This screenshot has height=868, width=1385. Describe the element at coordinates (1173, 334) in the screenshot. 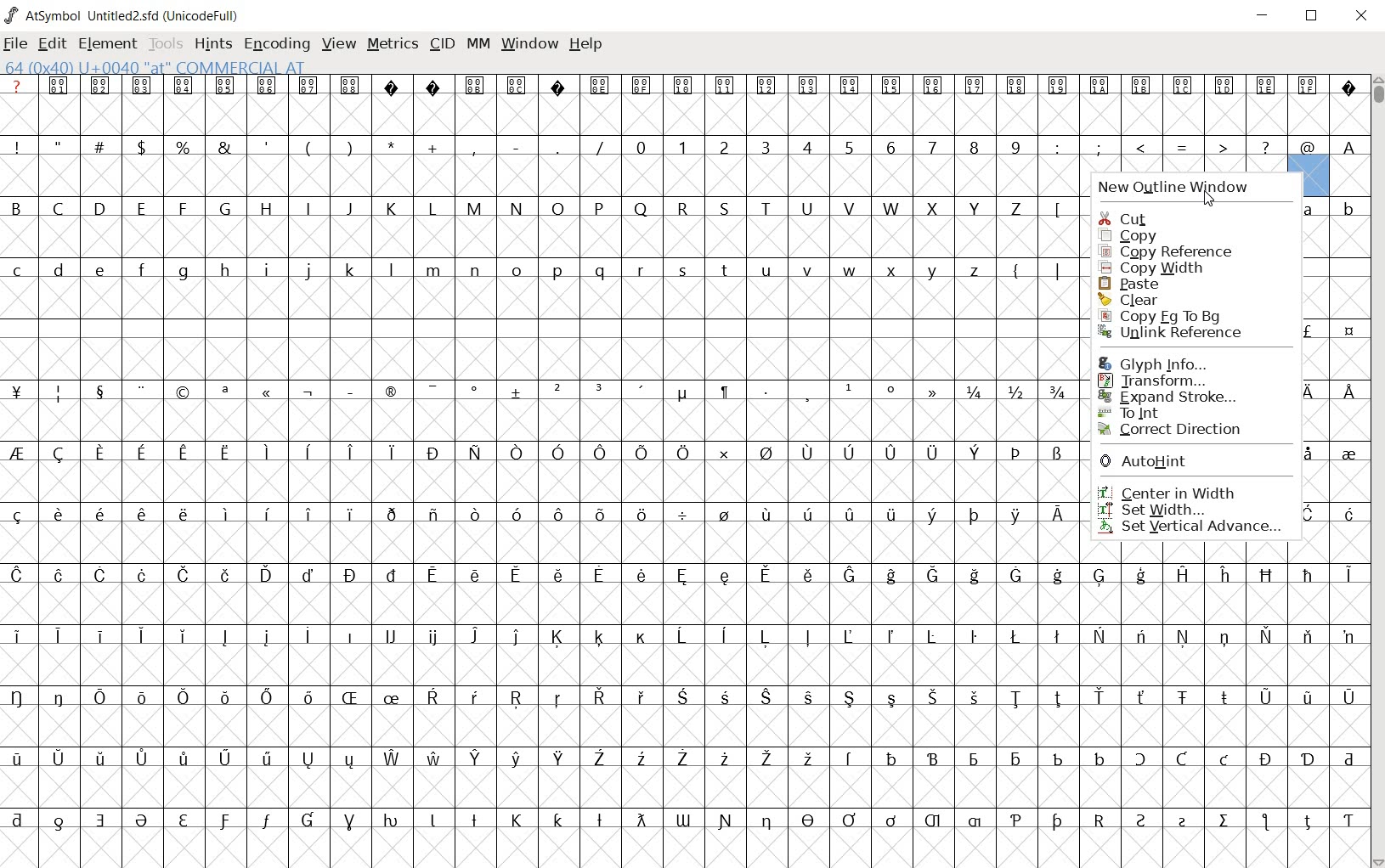

I see `UNLINK REFERENCE` at that location.